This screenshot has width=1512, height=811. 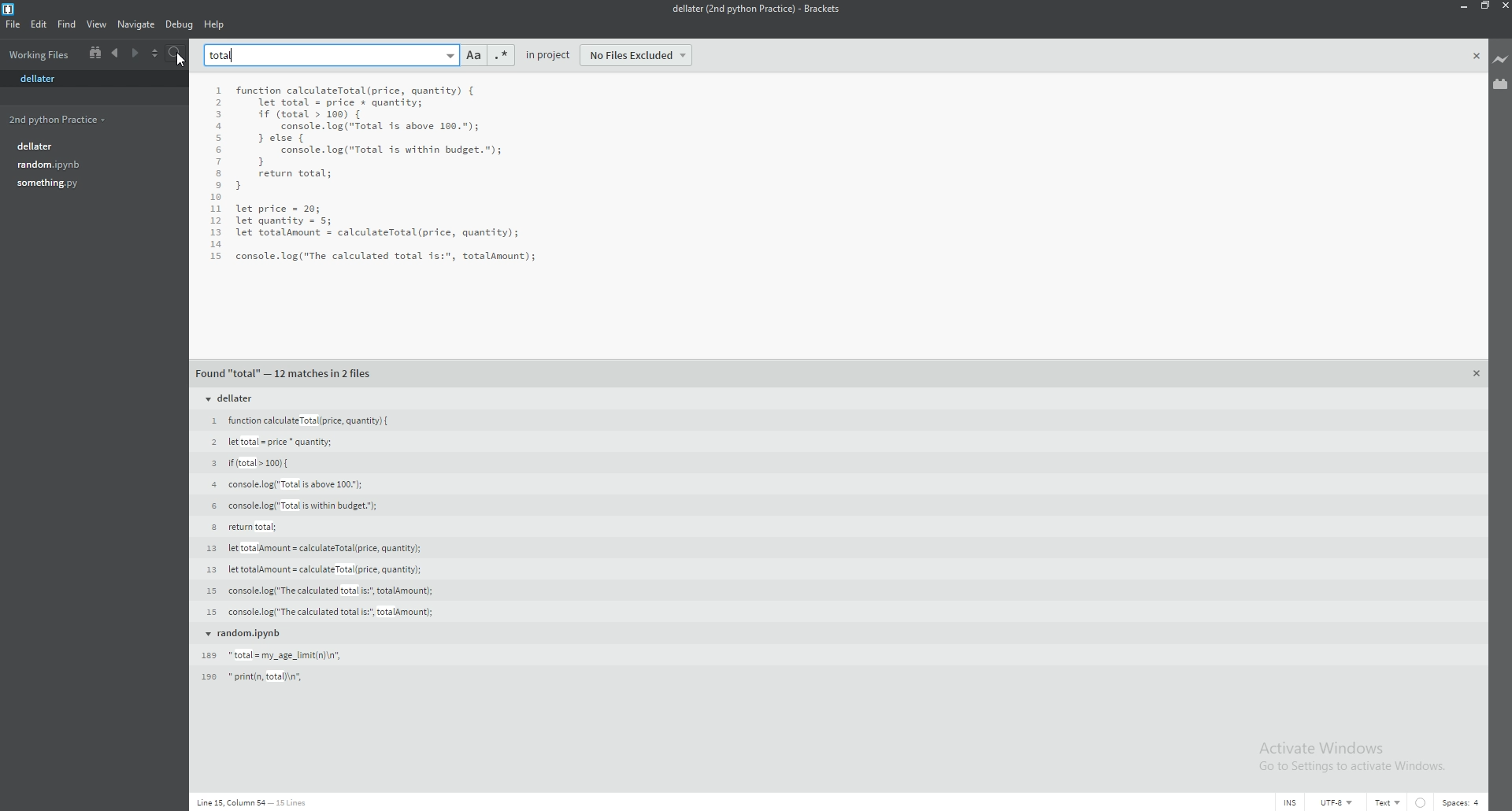 I want to click on dellater, so click(x=45, y=80).